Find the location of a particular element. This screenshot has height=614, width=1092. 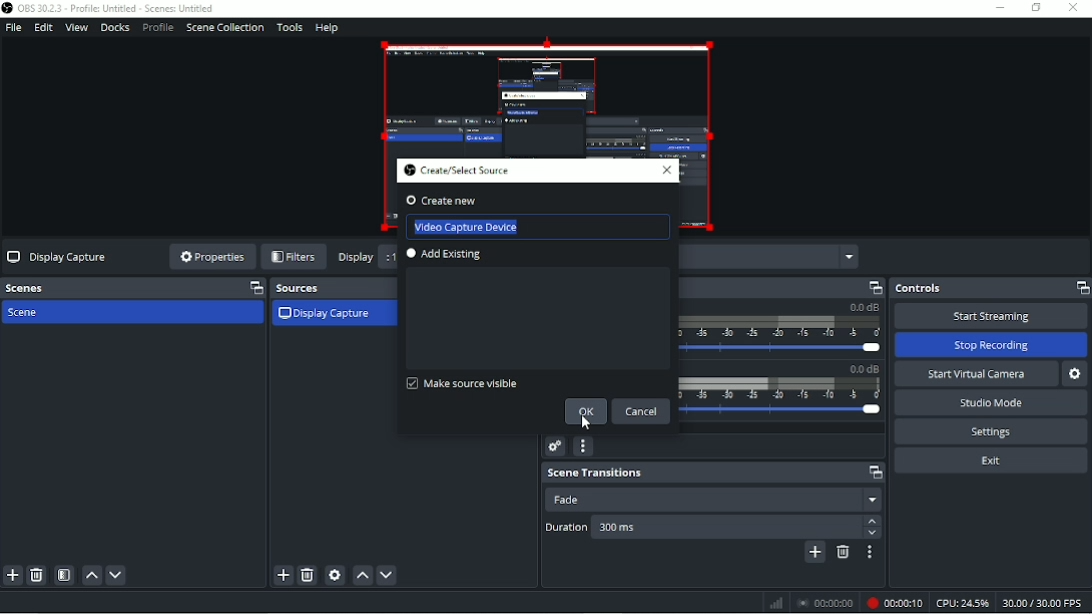

File is located at coordinates (12, 27).